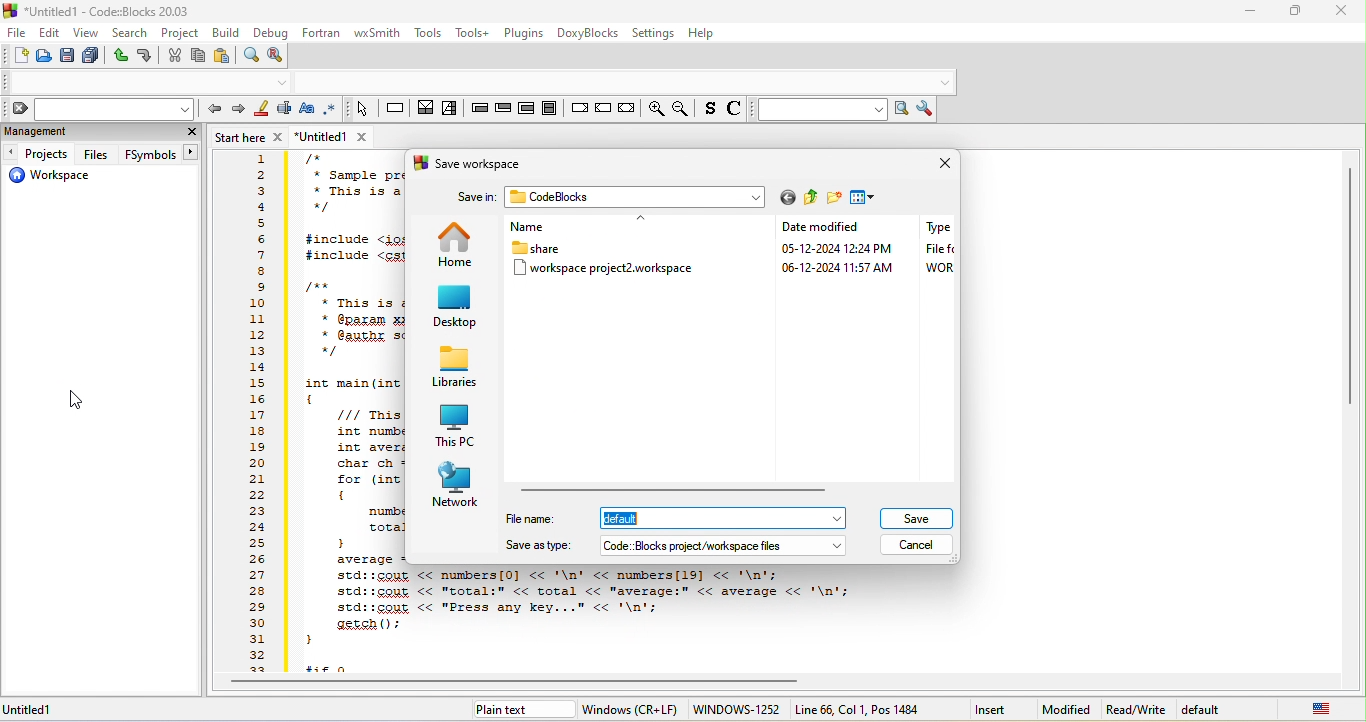 This screenshot has width=1366, height=722. I want to click on toggle source, so click(709, 111).